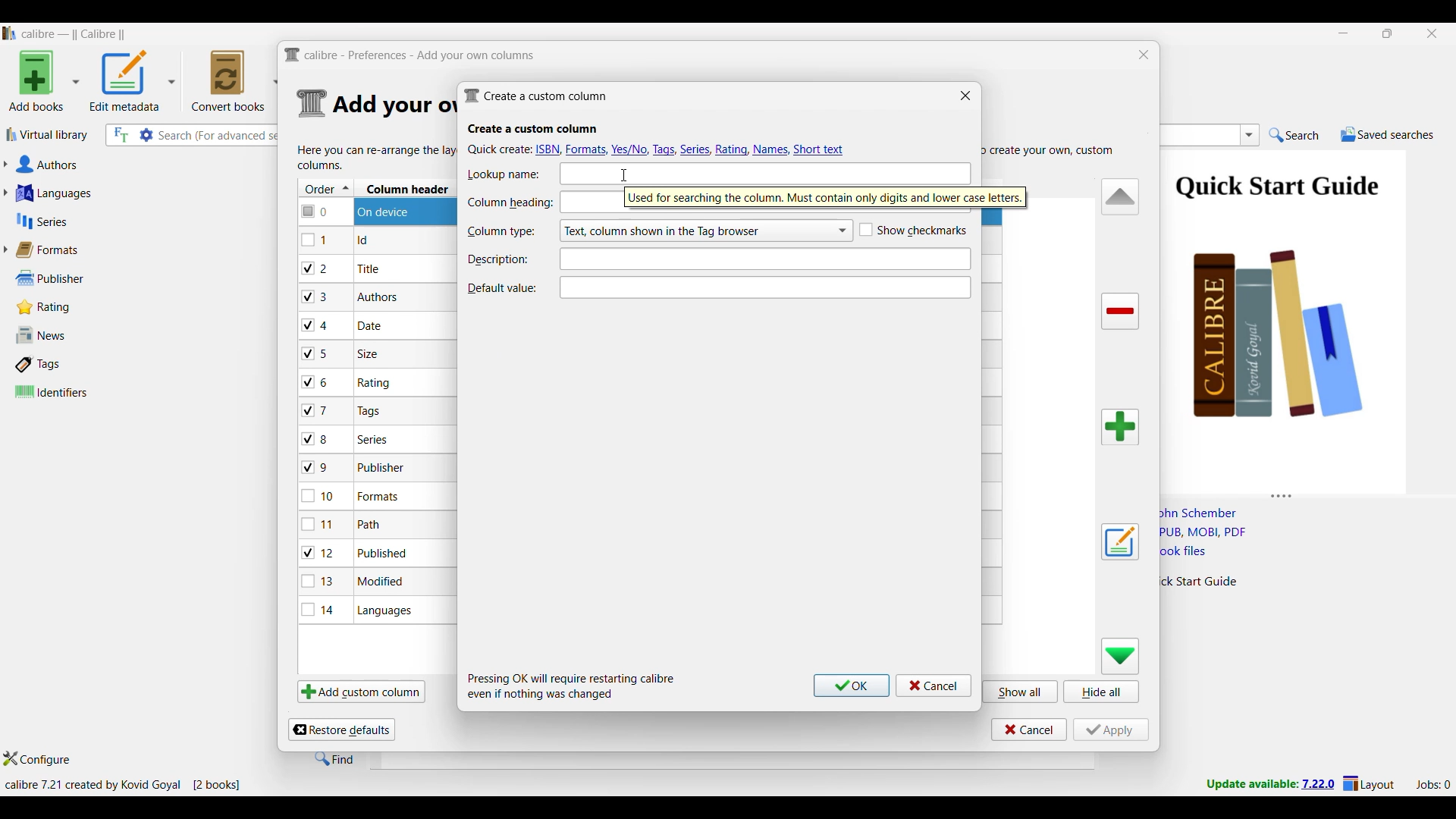  I want to click on Identifiers, so click(74, 391).